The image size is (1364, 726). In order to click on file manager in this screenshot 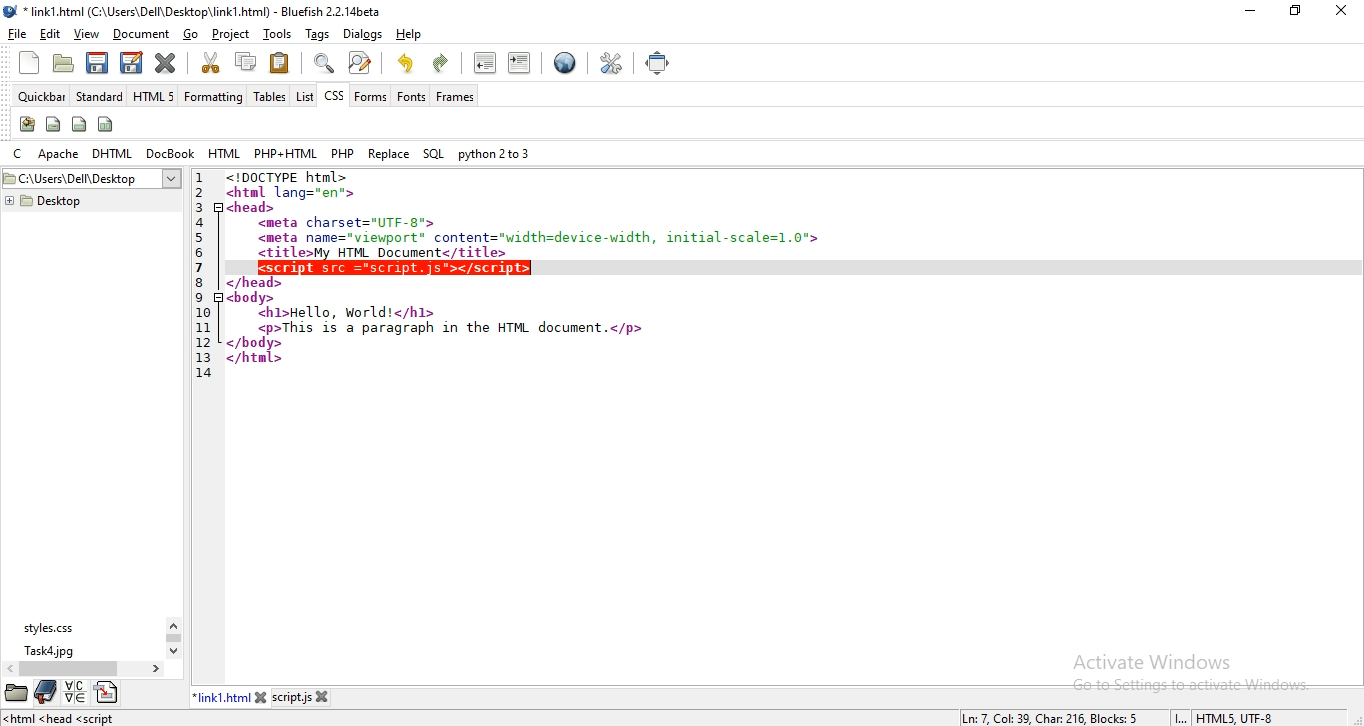, I will do `click(16, 692)`.